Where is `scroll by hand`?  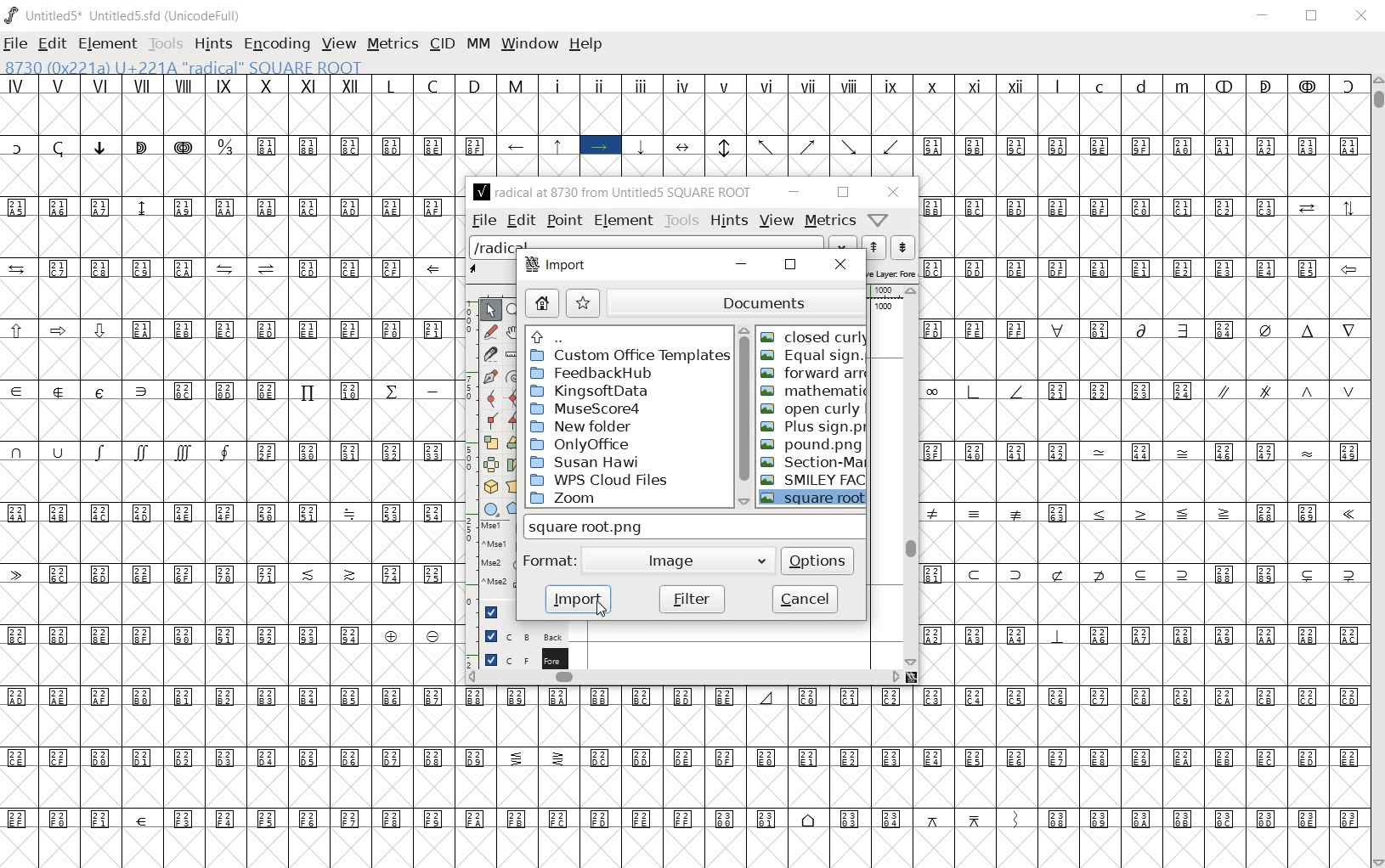 scroll by hand is located at coordinates (513, 330).